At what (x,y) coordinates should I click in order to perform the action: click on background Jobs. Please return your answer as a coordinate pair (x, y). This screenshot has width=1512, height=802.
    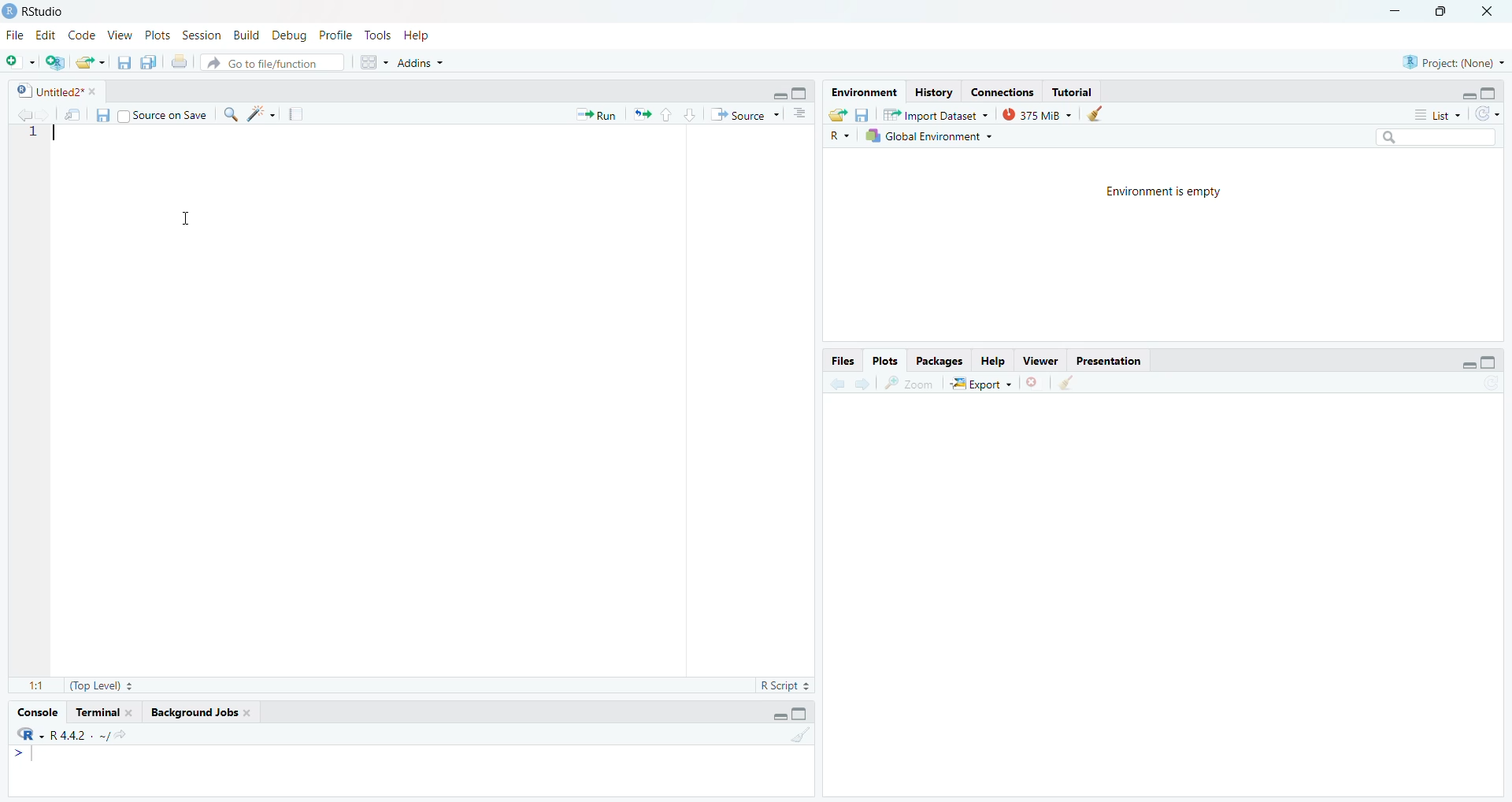
    Looking at the image, I should click on (200, 715).